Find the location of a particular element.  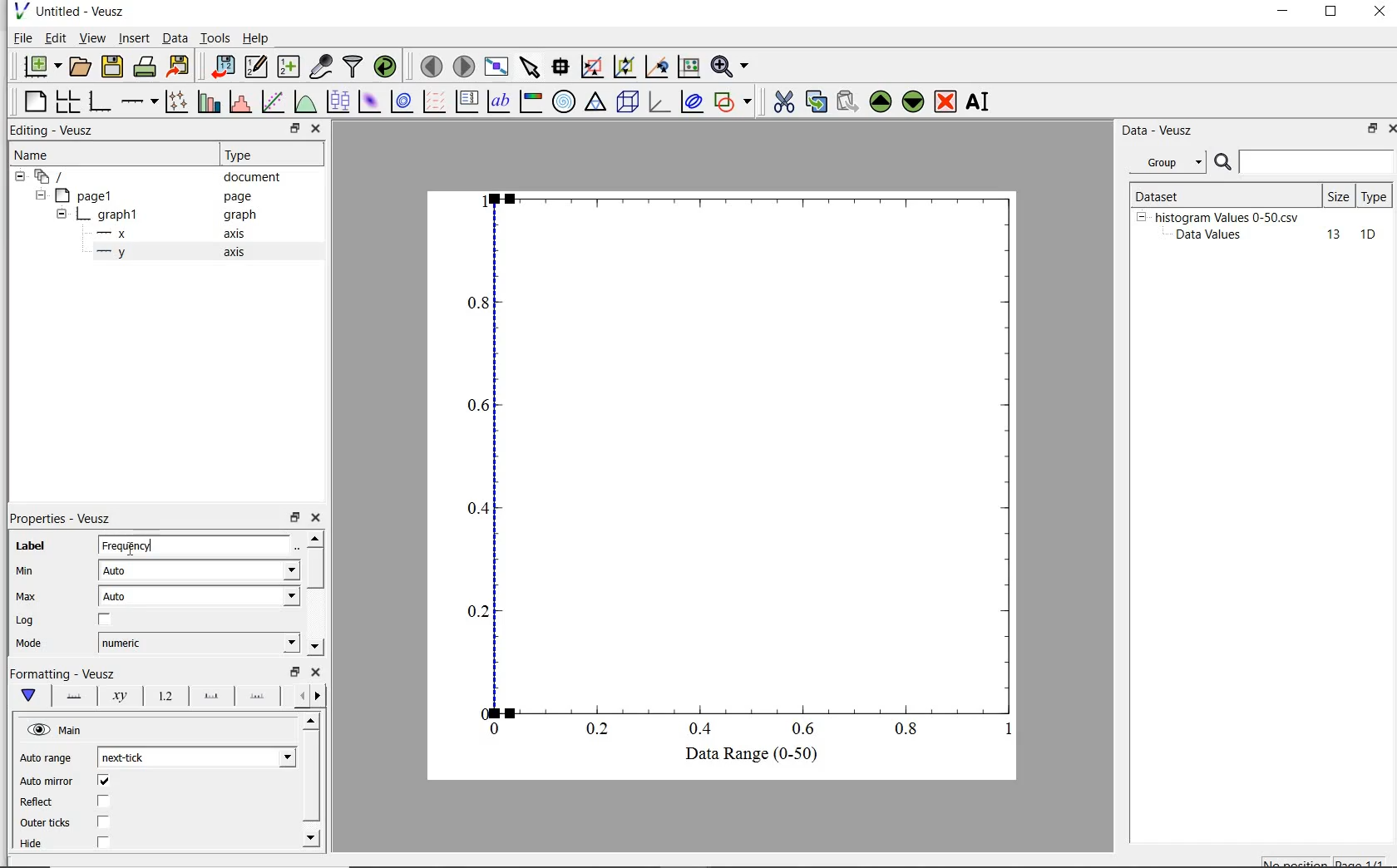

restore down is located at coordinates (294, 129).